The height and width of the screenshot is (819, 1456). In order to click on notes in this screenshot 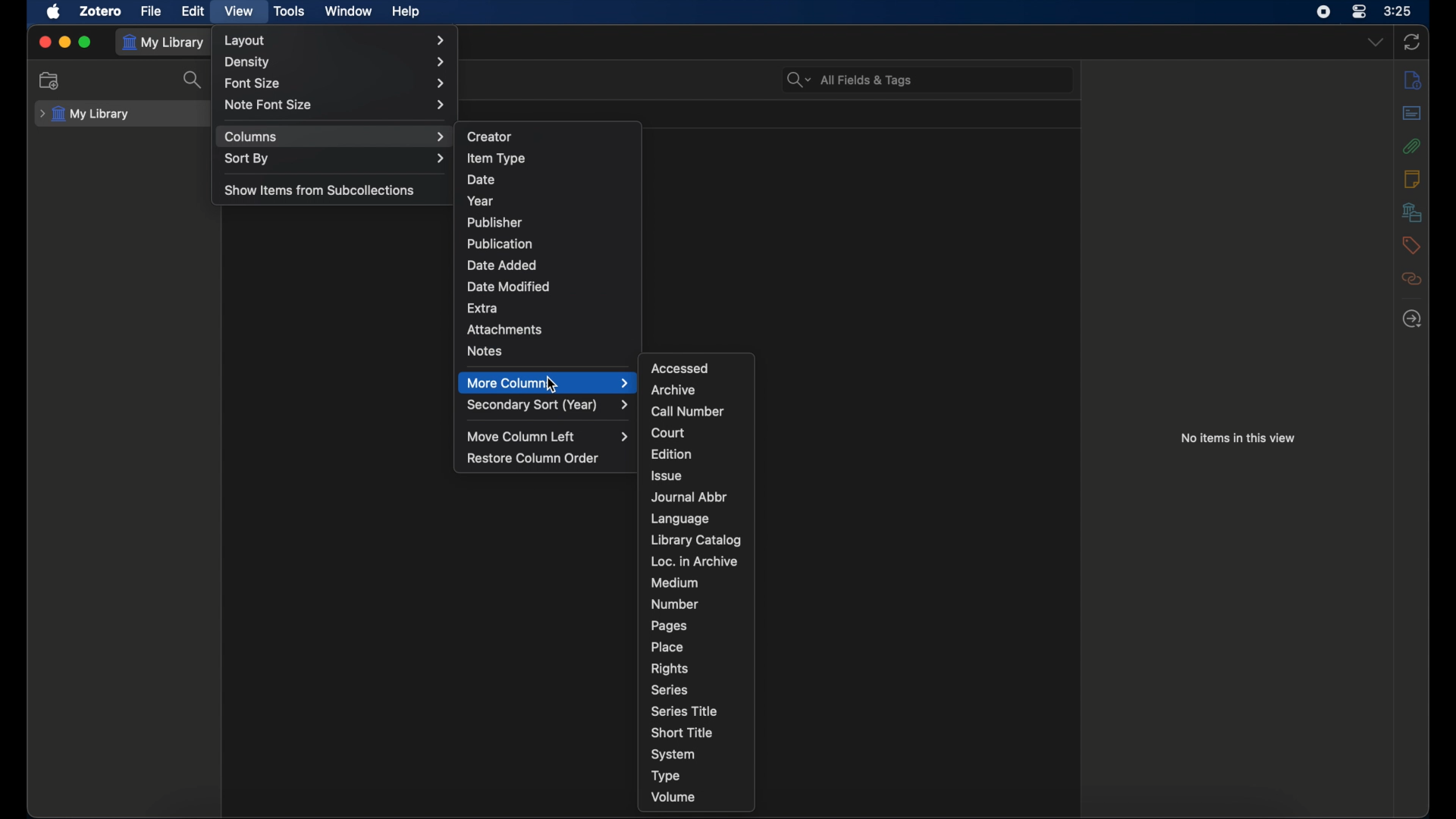, I will do `click(1411, 177)`.